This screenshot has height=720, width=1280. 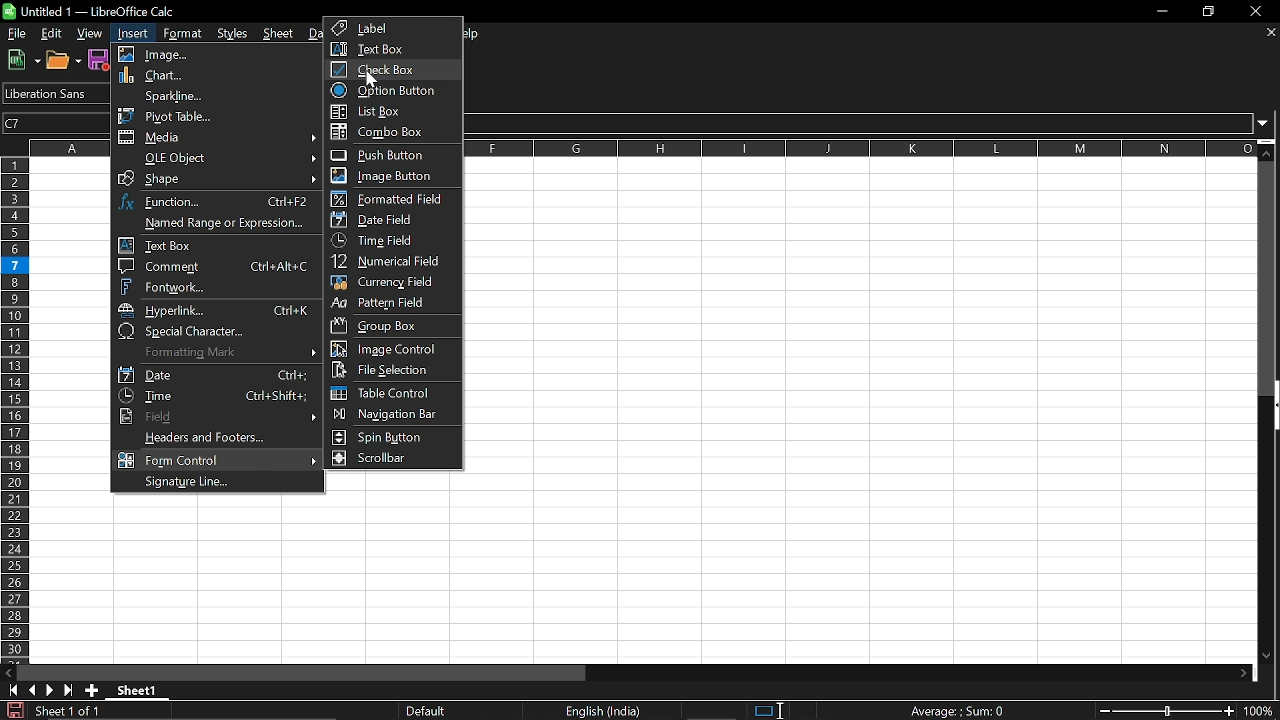 What do you see at coordinates (8, 673) in the screenshot?
I see `MOve left` at bounding box center [8, 673].